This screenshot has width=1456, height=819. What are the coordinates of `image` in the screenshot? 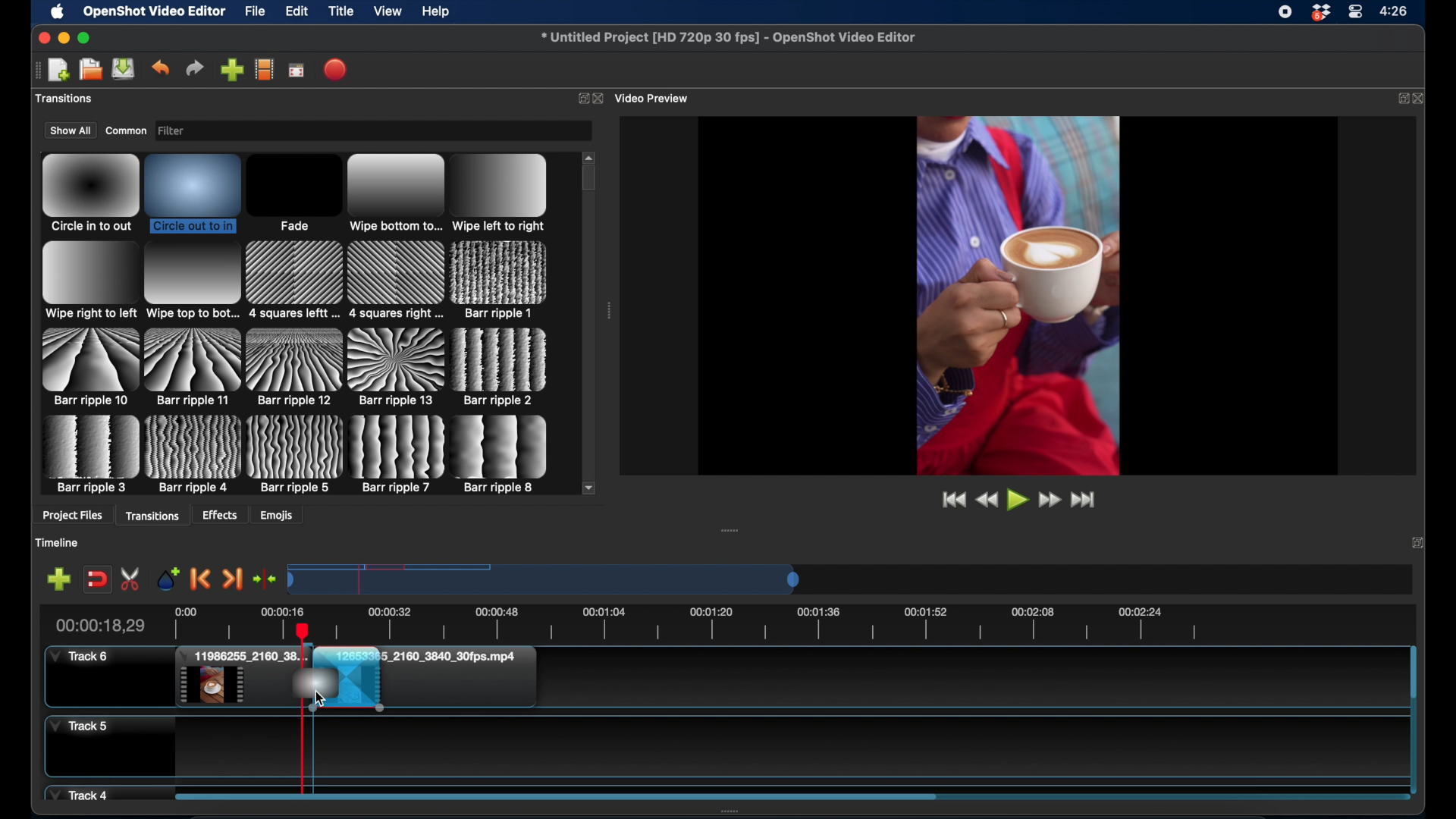 It's located at (312, 688).